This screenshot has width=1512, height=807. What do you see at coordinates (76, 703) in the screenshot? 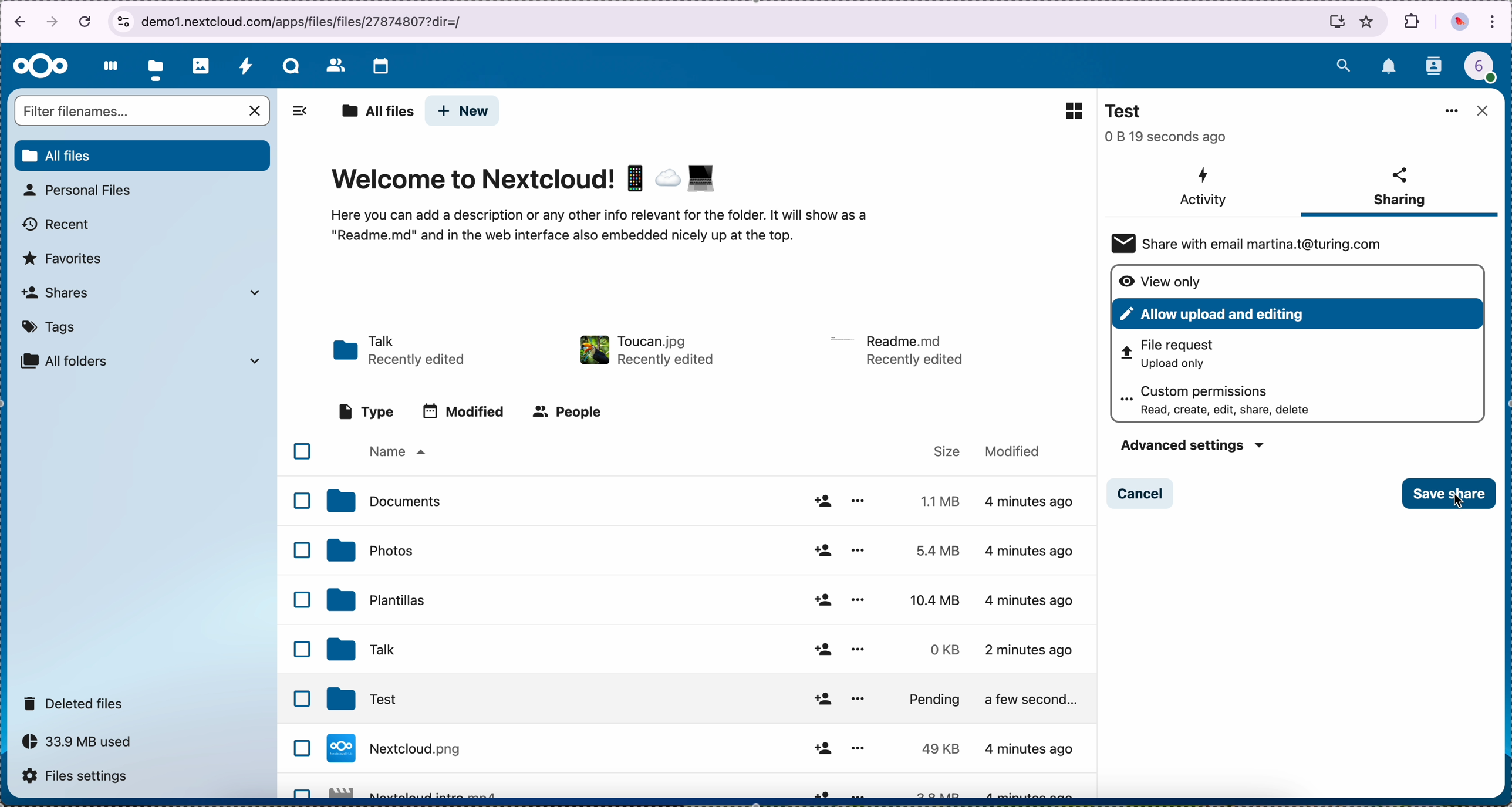
I see `deleted files` at bounding box center [76, 703].